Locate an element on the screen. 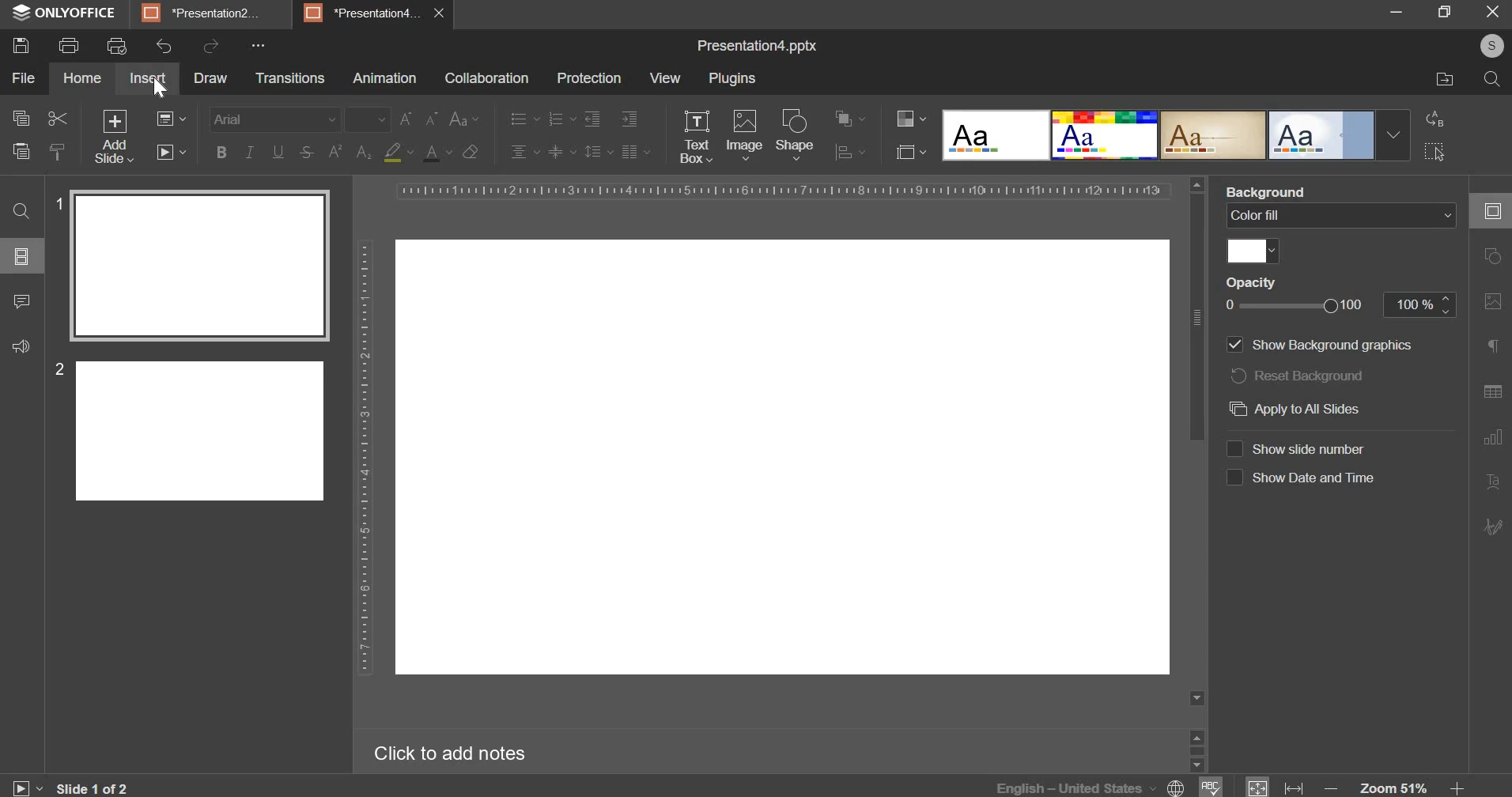 Image resolution: width=1512 pixels, height=797 pixels. slide 1 is located at coordinates (186, 266).